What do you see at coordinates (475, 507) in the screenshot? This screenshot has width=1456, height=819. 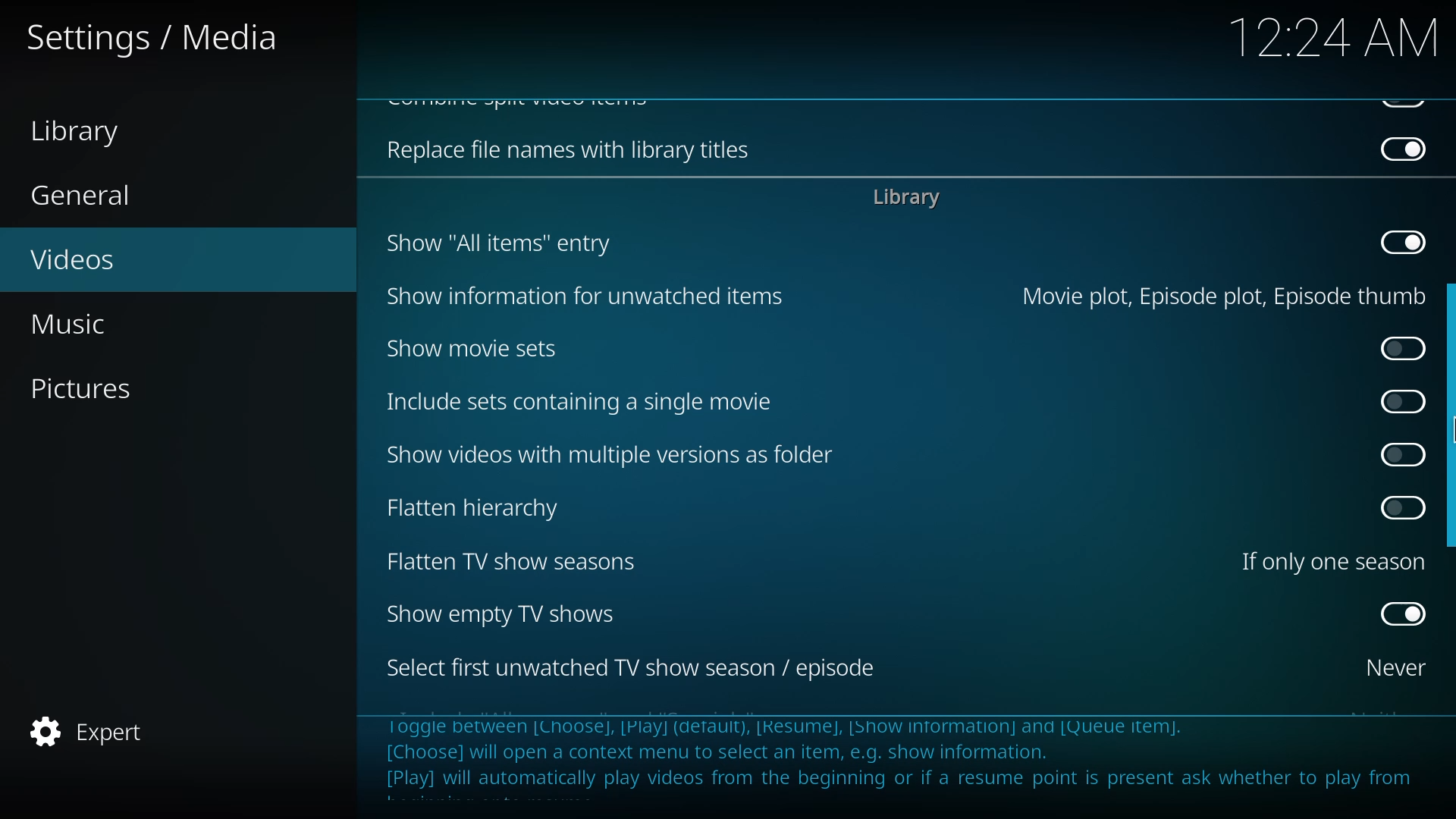 I see `flatten hierarchy` at bounding box center [475, 507].